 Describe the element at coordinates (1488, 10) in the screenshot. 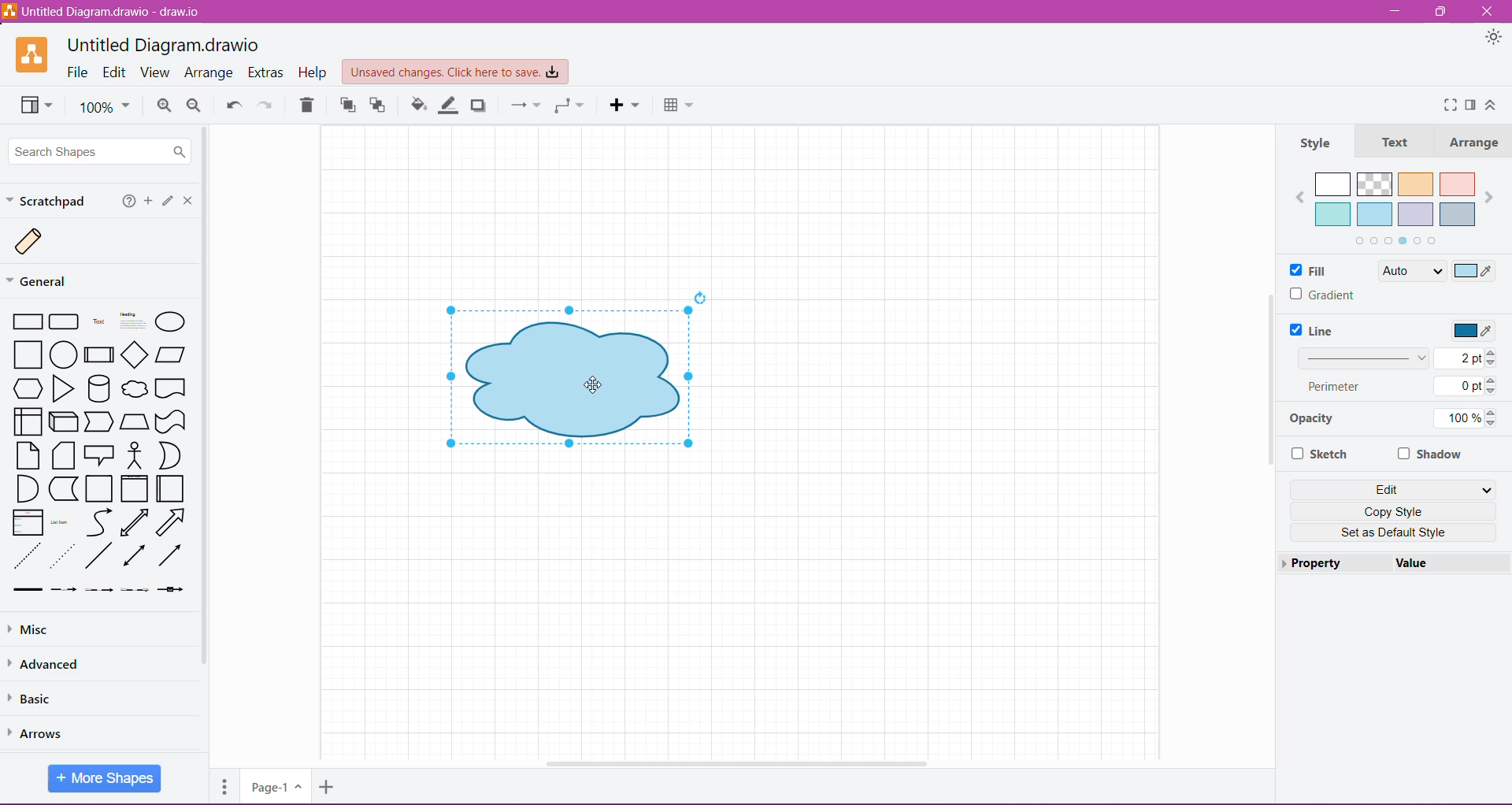

I see `Close` at that location.